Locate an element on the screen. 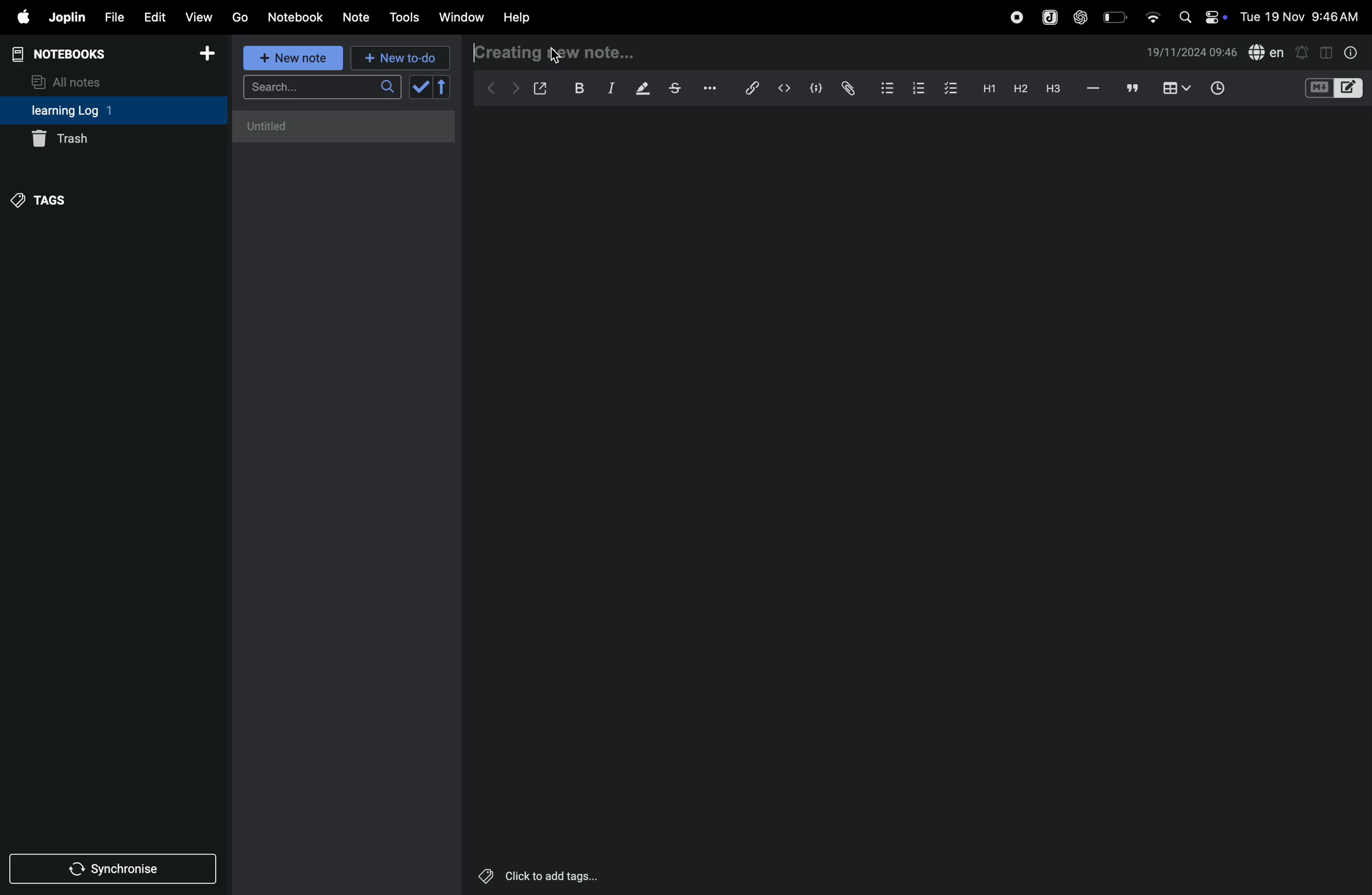 The height and width of the screenshot is (895, 1372). battery is located at coordinates (1116, 16).